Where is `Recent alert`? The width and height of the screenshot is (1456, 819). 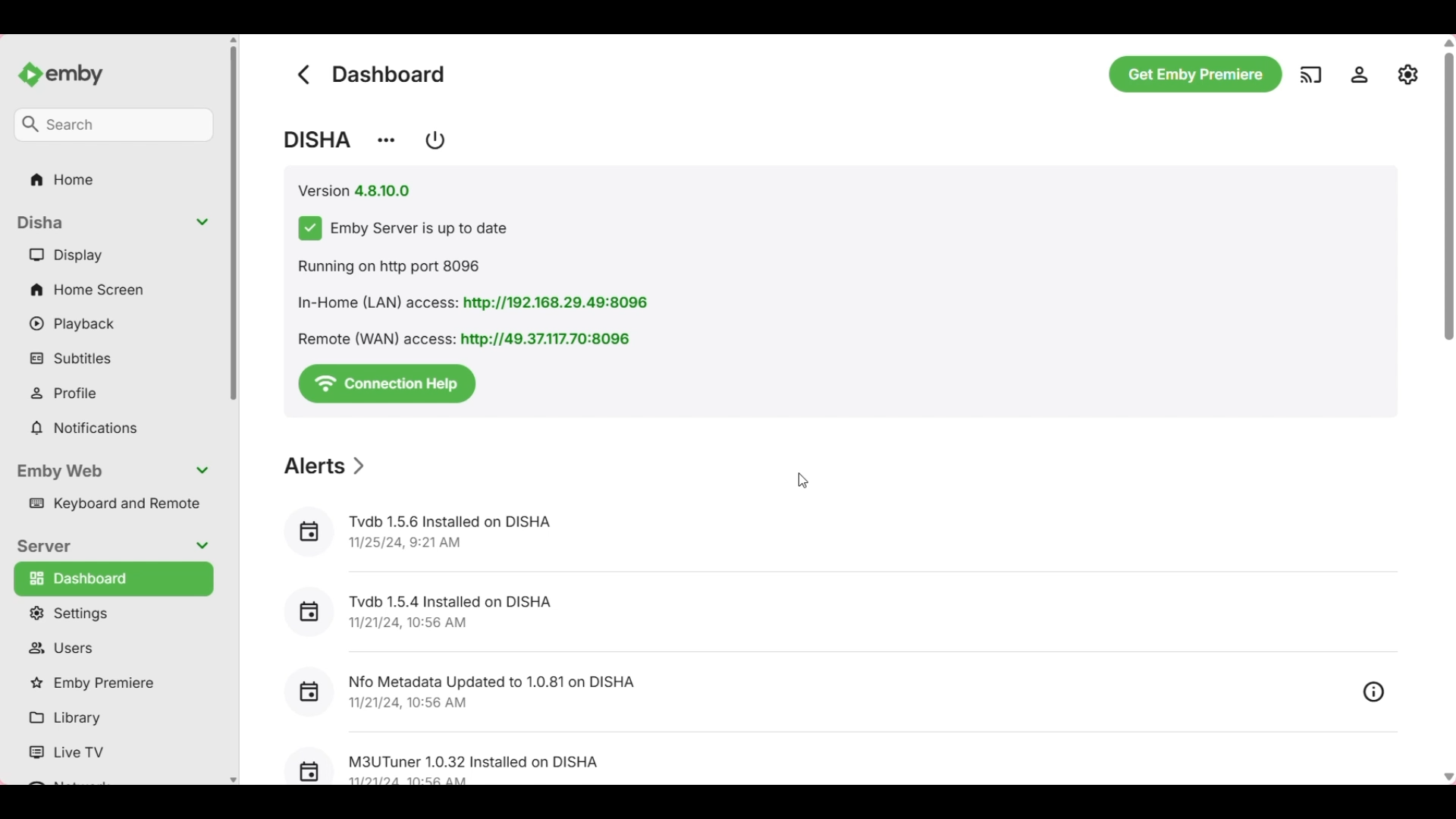
Recent alert is located at coordinates (836, 613).